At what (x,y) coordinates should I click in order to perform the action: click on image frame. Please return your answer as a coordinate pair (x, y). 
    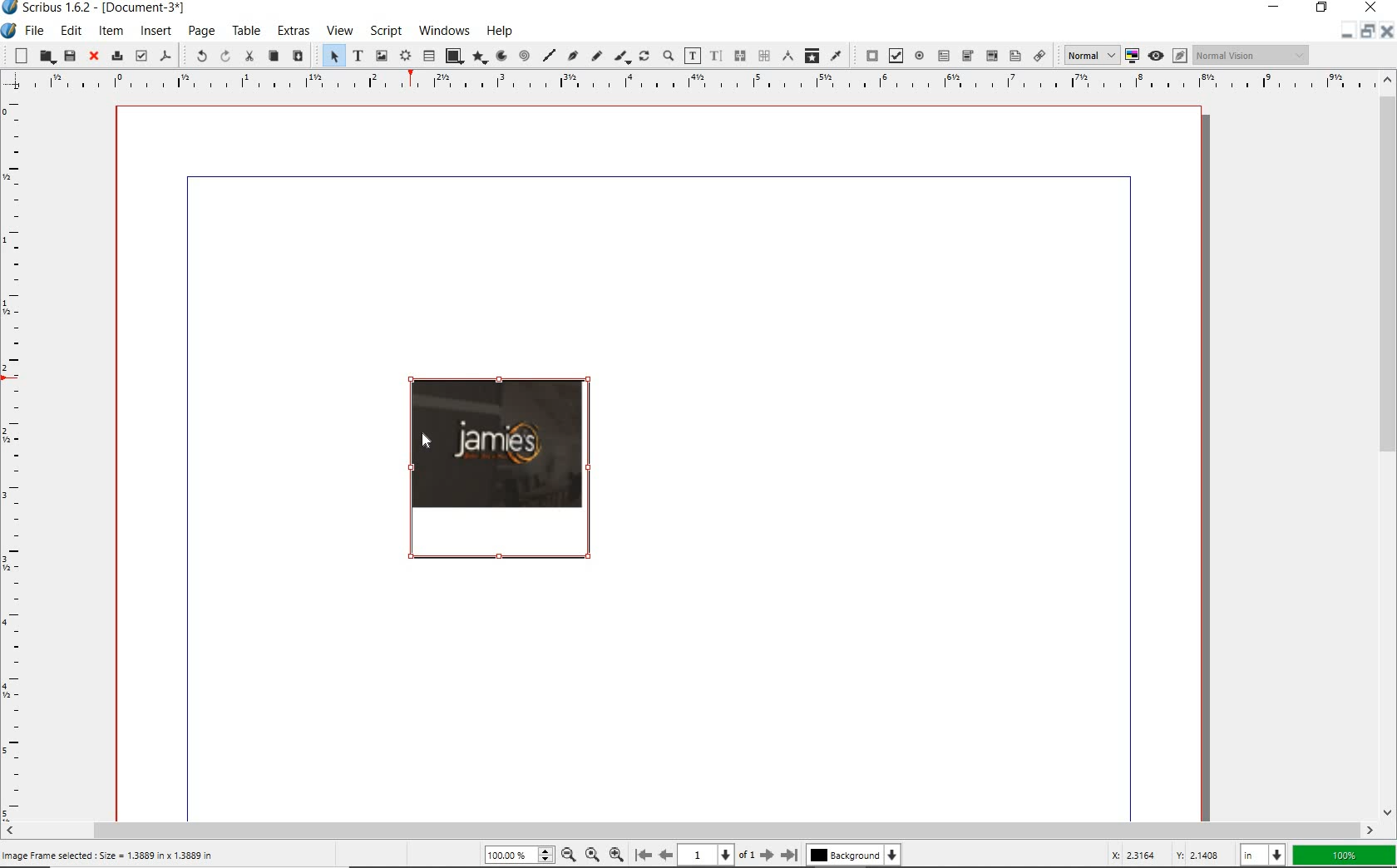
    Looking at the image, I should click on (381, 57).